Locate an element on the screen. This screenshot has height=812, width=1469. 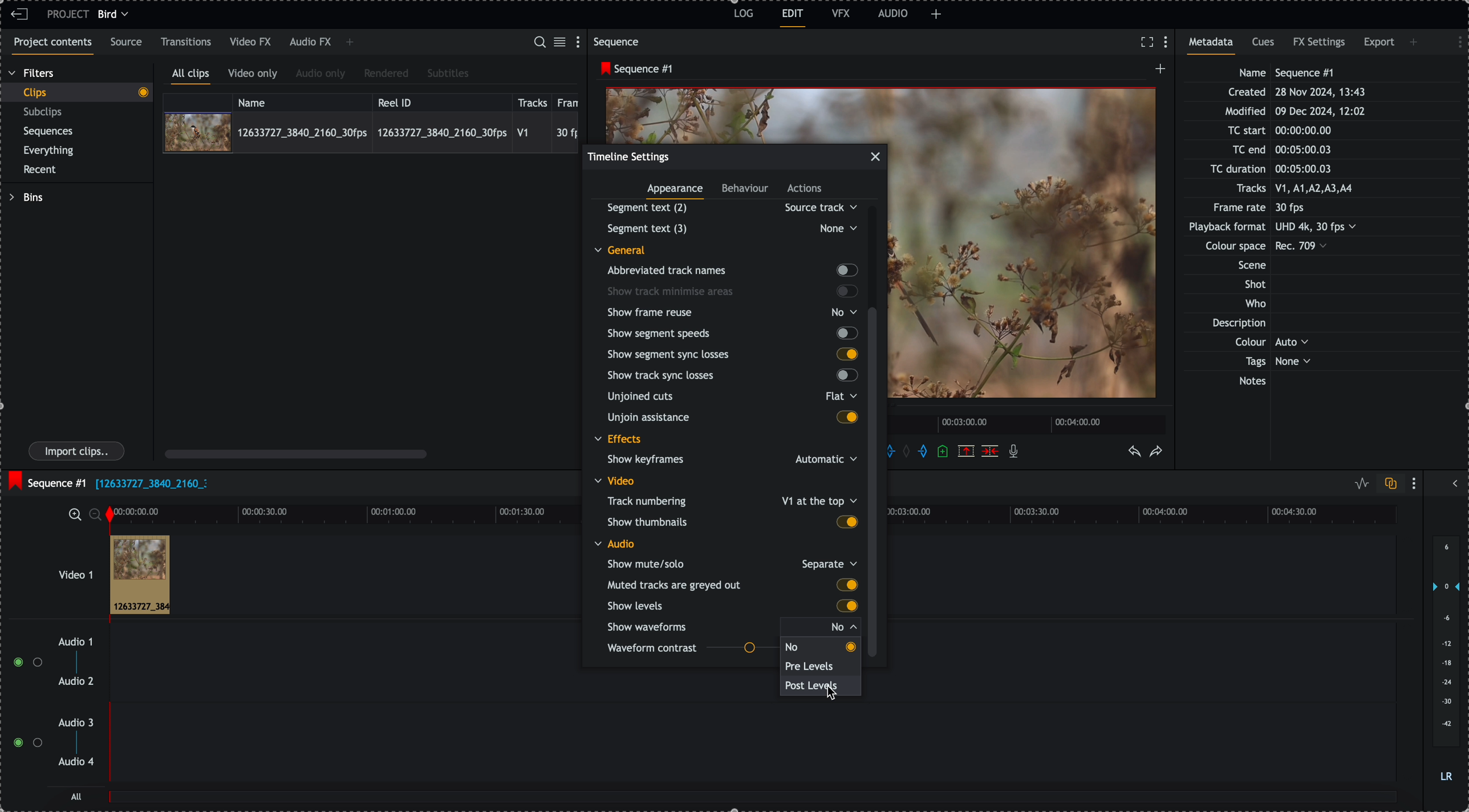
recored voice-over is located at coordinates (1016, 452).